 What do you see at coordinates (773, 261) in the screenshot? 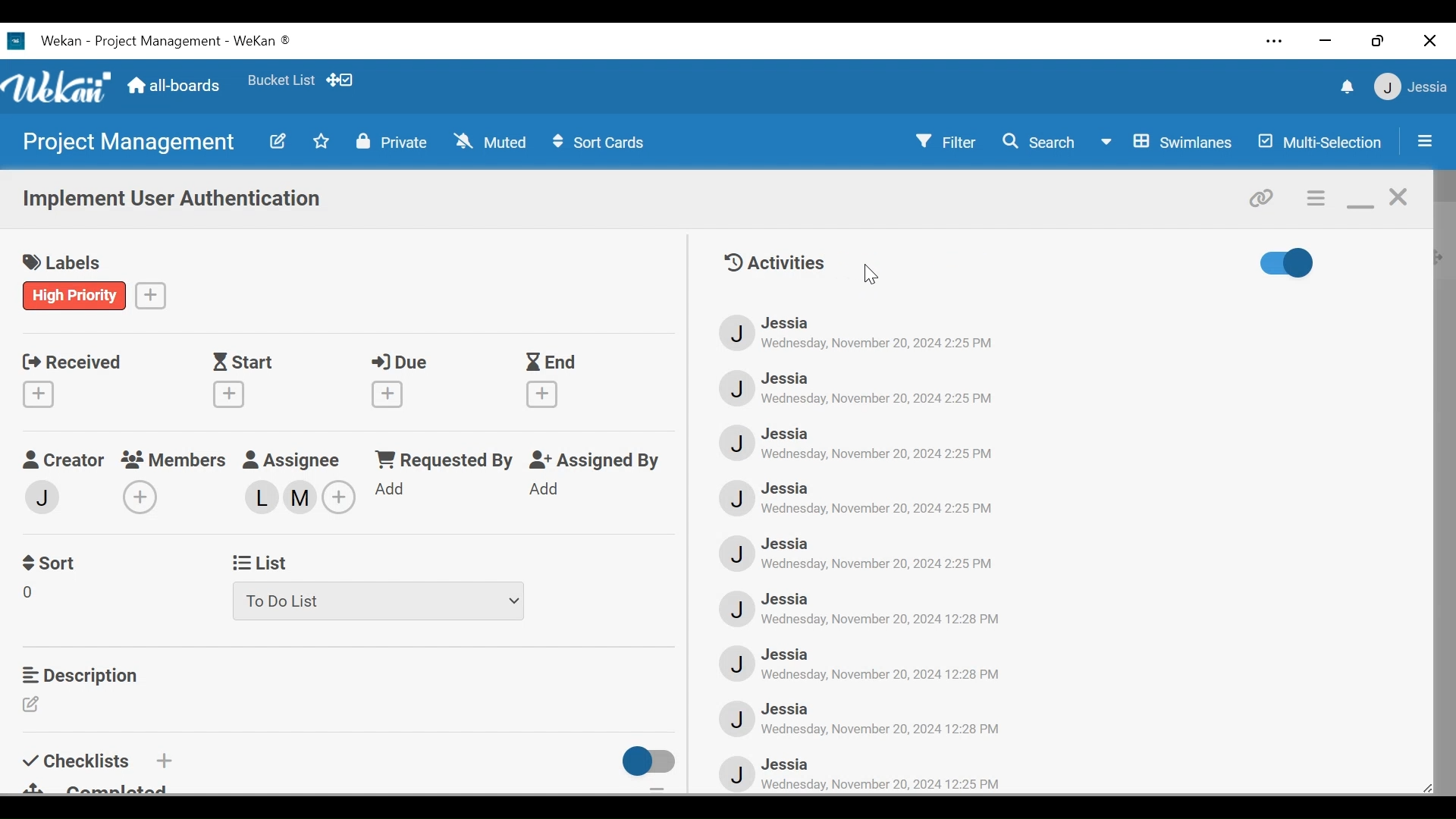
I see `Activities` at bounding box center [773, 261].